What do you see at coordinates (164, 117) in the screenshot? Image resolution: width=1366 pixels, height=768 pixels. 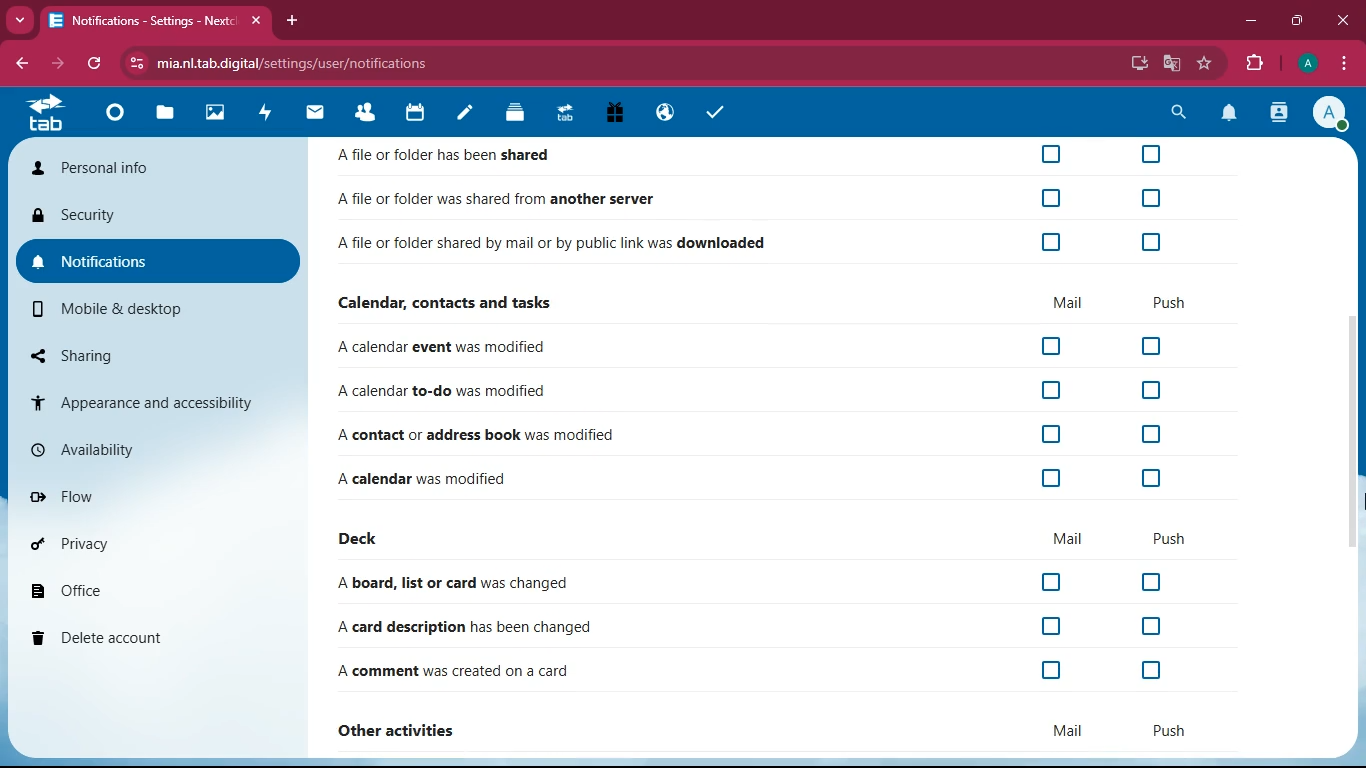 I see `files` at bounding box center [164, 117].